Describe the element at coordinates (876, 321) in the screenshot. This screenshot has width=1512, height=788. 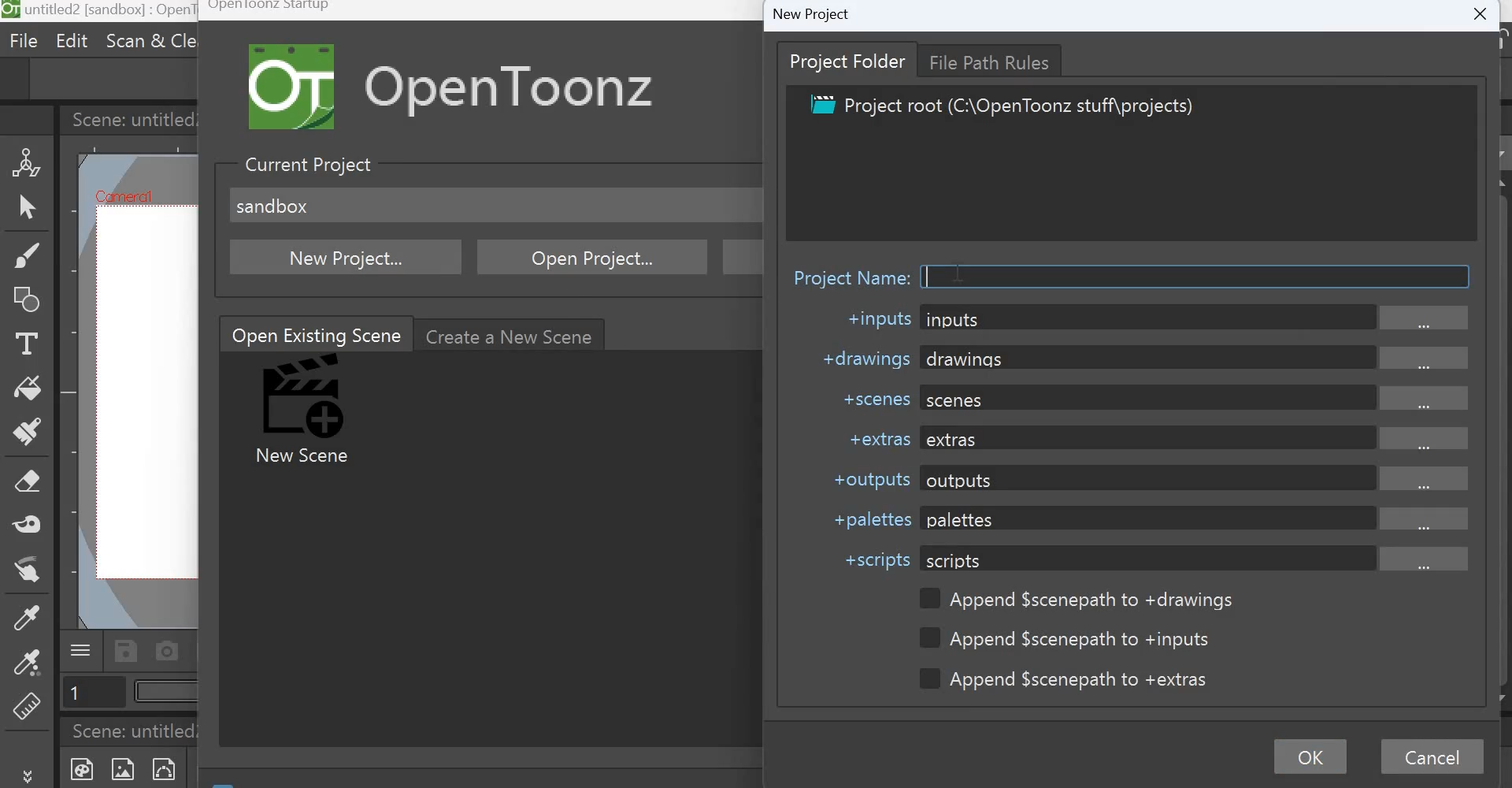
I see `+inputs` at that location.